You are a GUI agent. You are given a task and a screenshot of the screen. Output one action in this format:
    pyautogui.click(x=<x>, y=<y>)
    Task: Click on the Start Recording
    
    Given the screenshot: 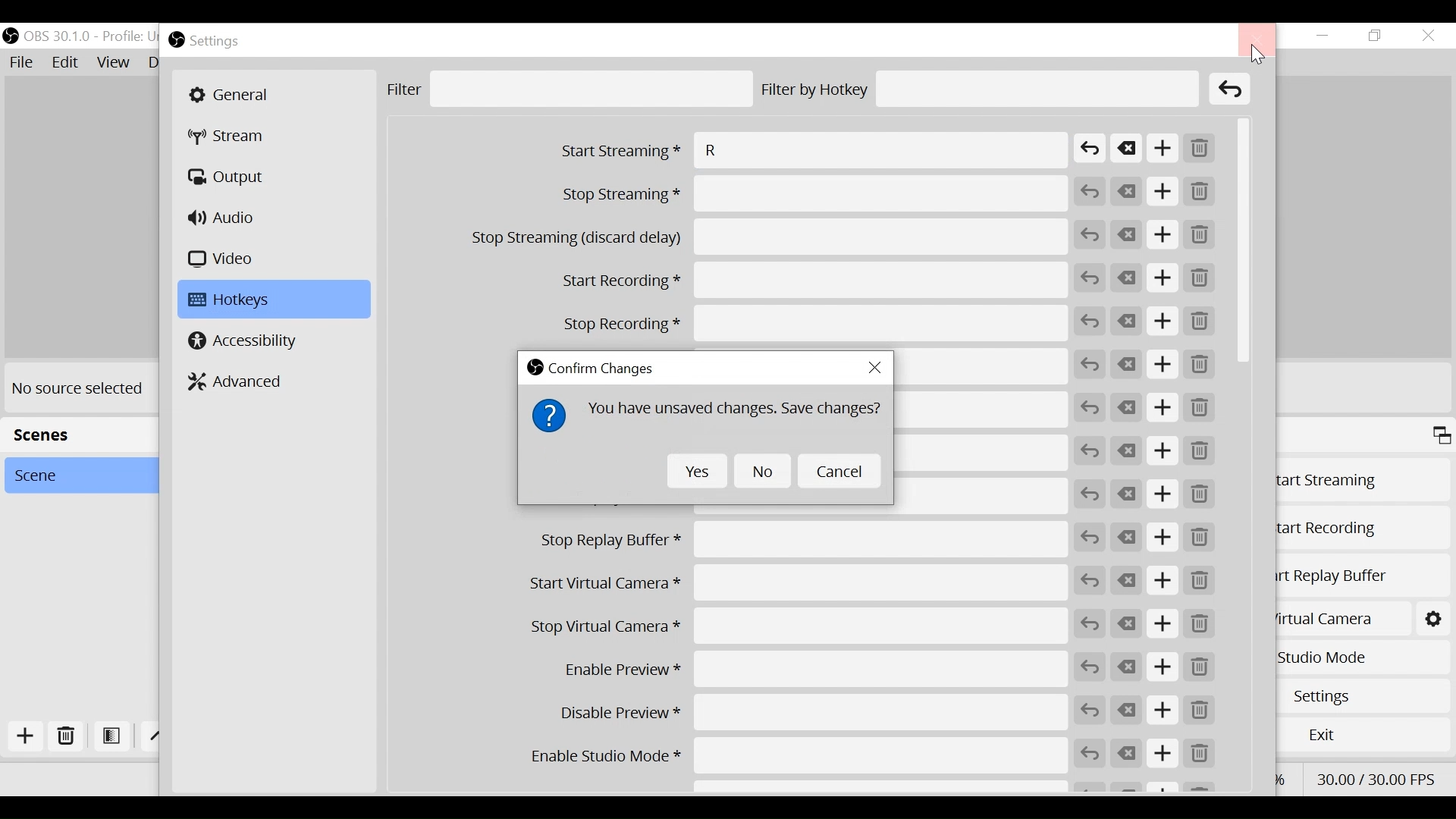 What is the action you would take?
    pyautogui.click(x=1355, y=527)
    